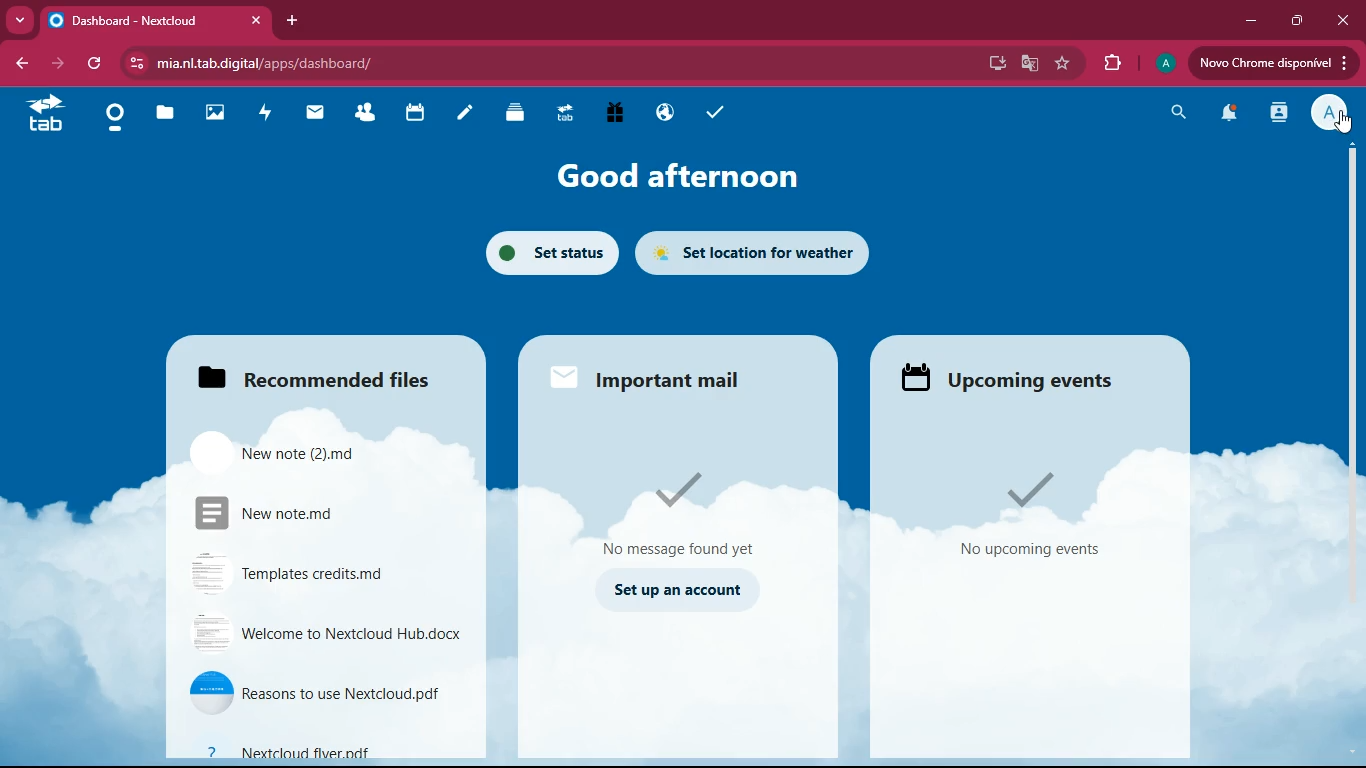 This screenshot has width=1366, height=768. What do you see at coordinates (1354, 446) in the screenshot?
I see `scroll bar` at bounding box center [1354, 446].